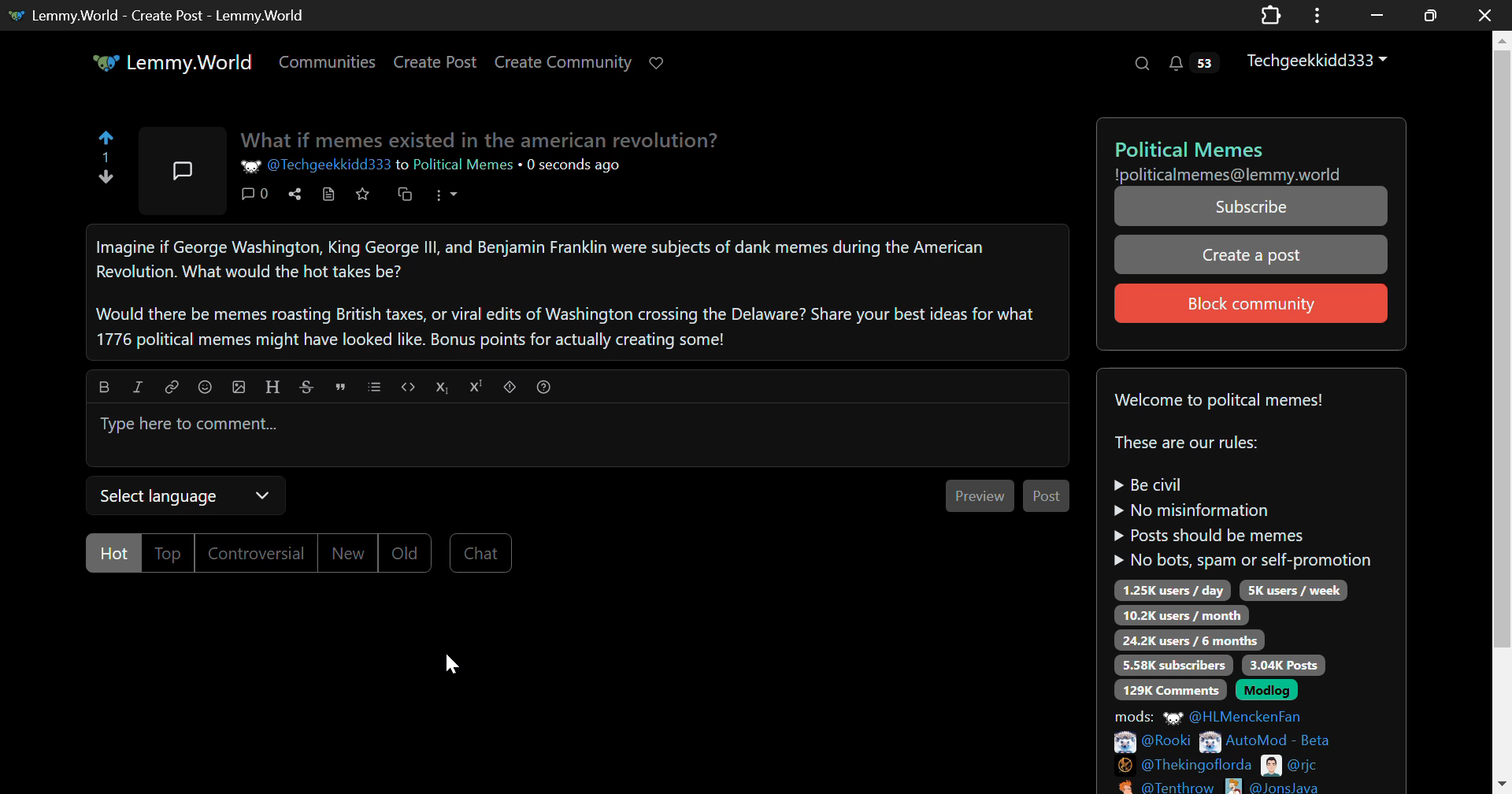 This screenshot has height=794, width=1512. Describe the element at coordinates (402, 553) in the screenshot. I see `Old Comment Filter Unselected` at that location.